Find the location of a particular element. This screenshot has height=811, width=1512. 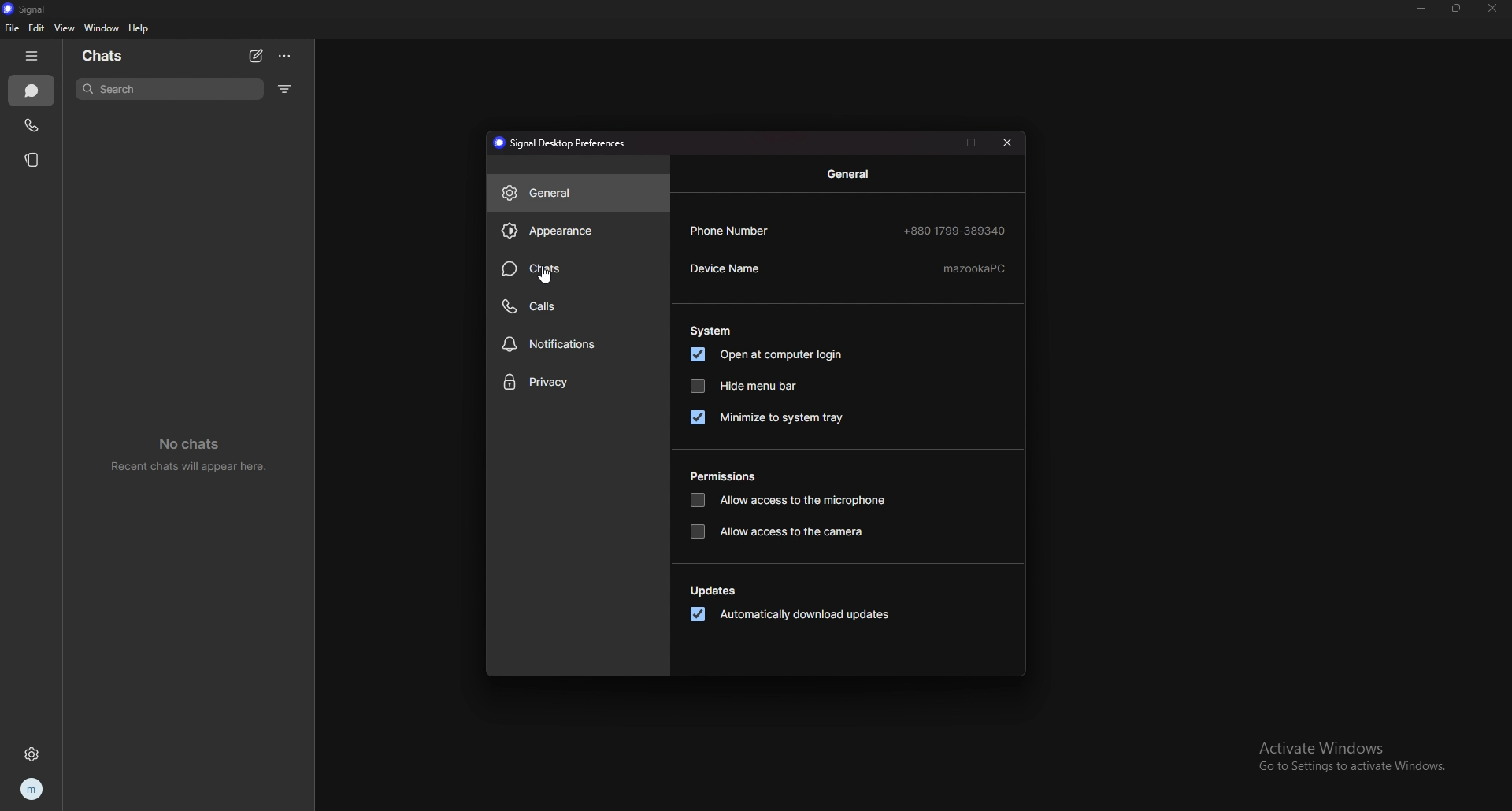

minimize is located at coordinates (1421, 8).